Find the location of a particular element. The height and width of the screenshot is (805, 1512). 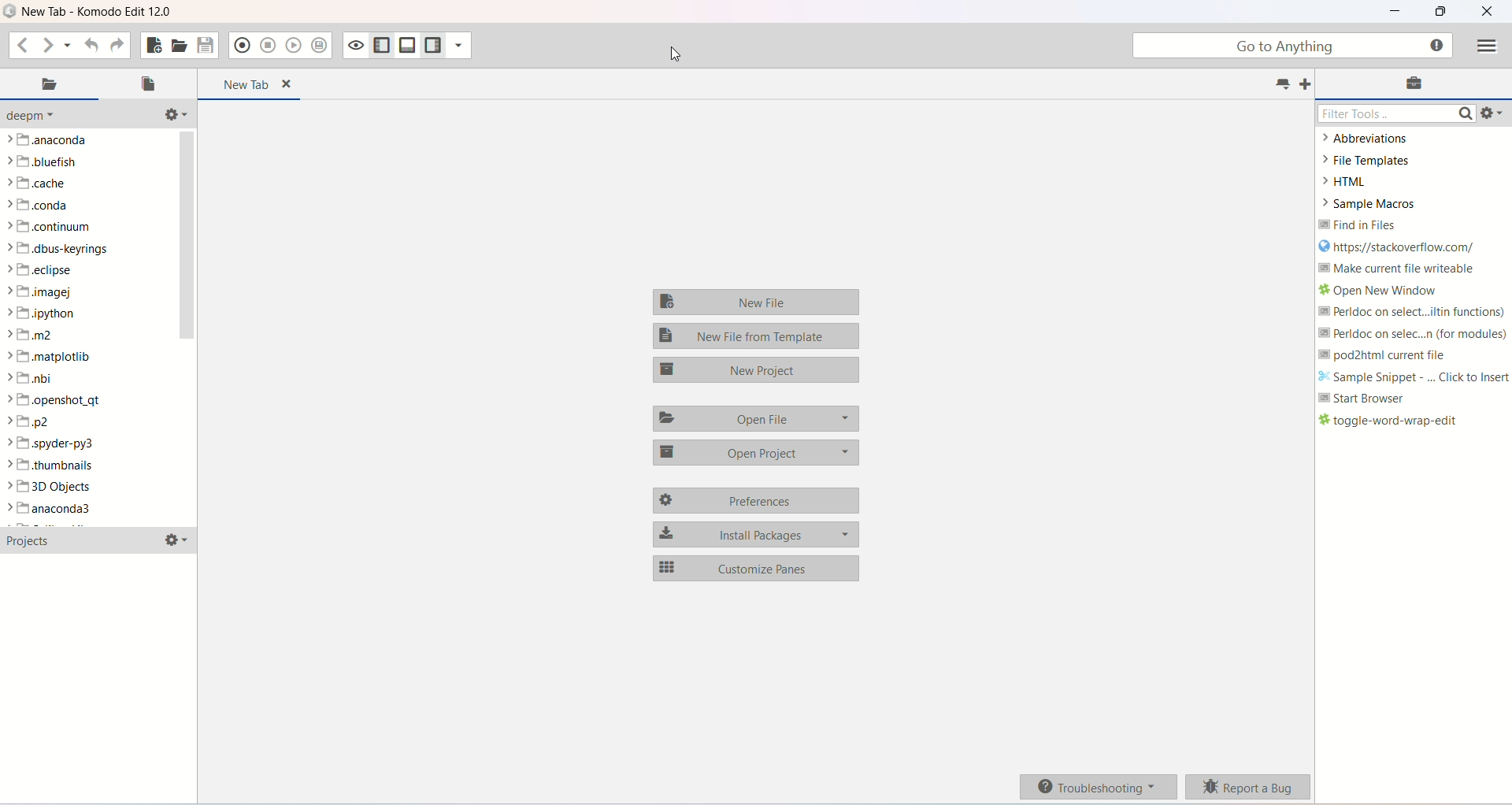

show/right bottom pane is located at coordinates (407, 46).